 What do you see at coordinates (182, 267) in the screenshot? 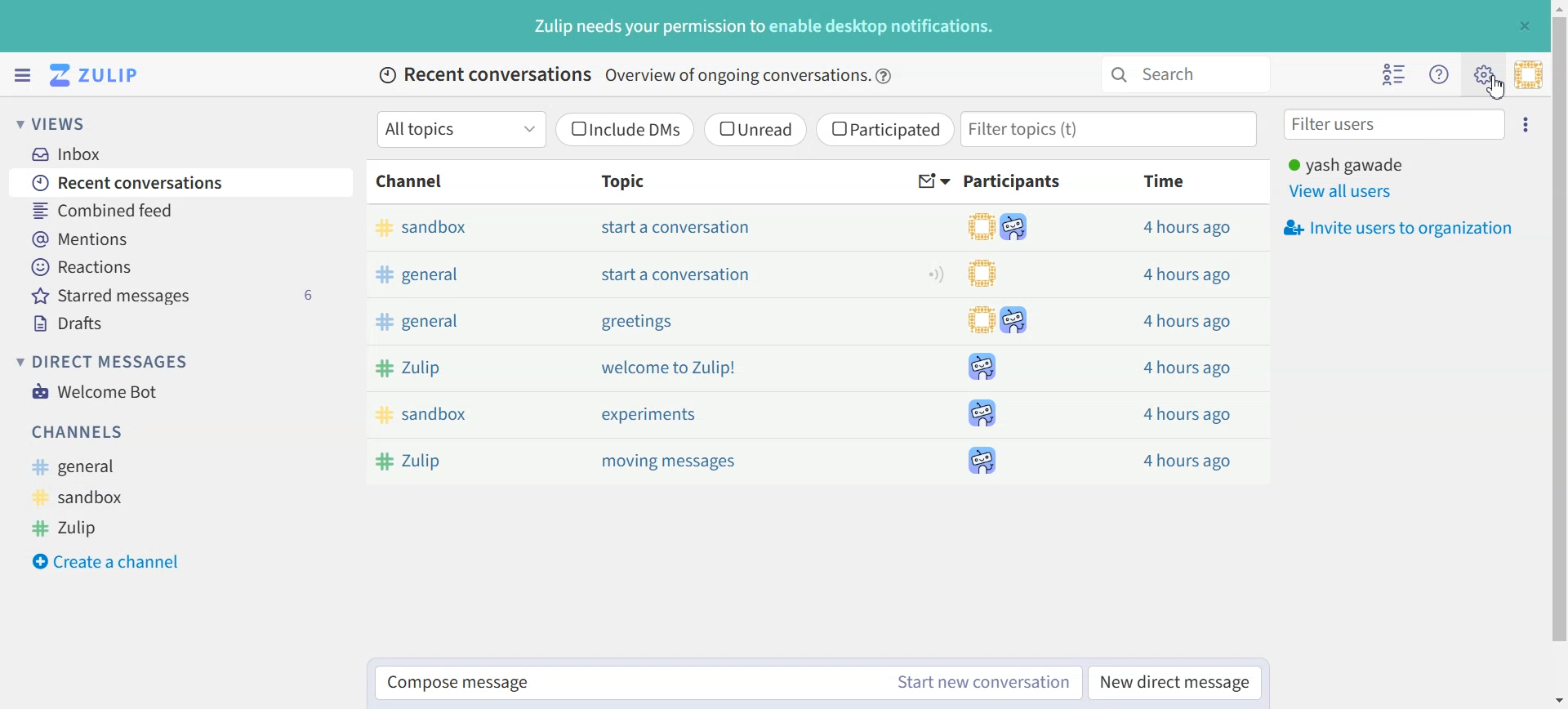
I see `Reactions` at bounding box center [182, 267].